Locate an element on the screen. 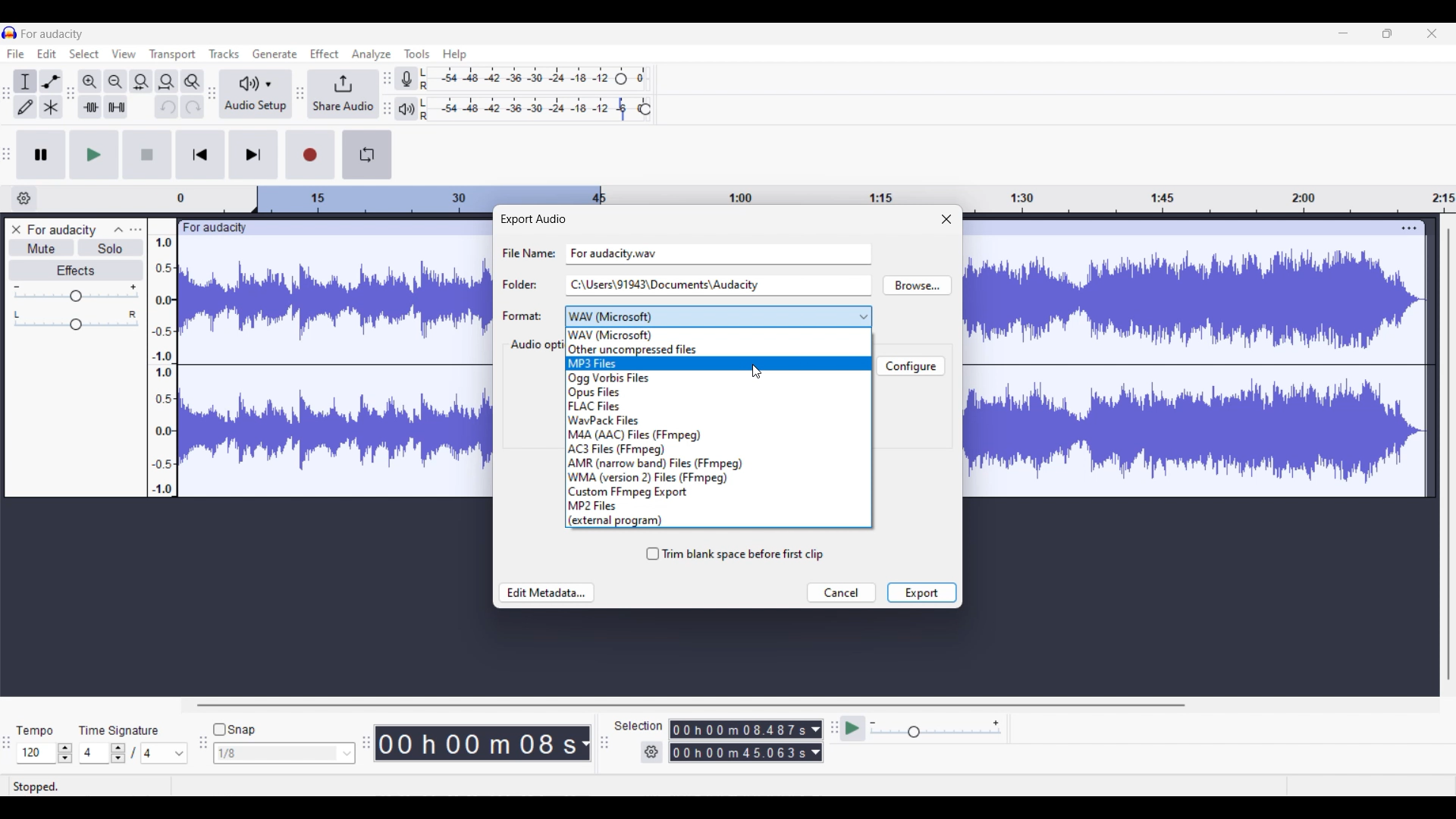 Image resolution: width=1456 pixels, height=819 pixels. Redo is located at coordinates (193, 106).